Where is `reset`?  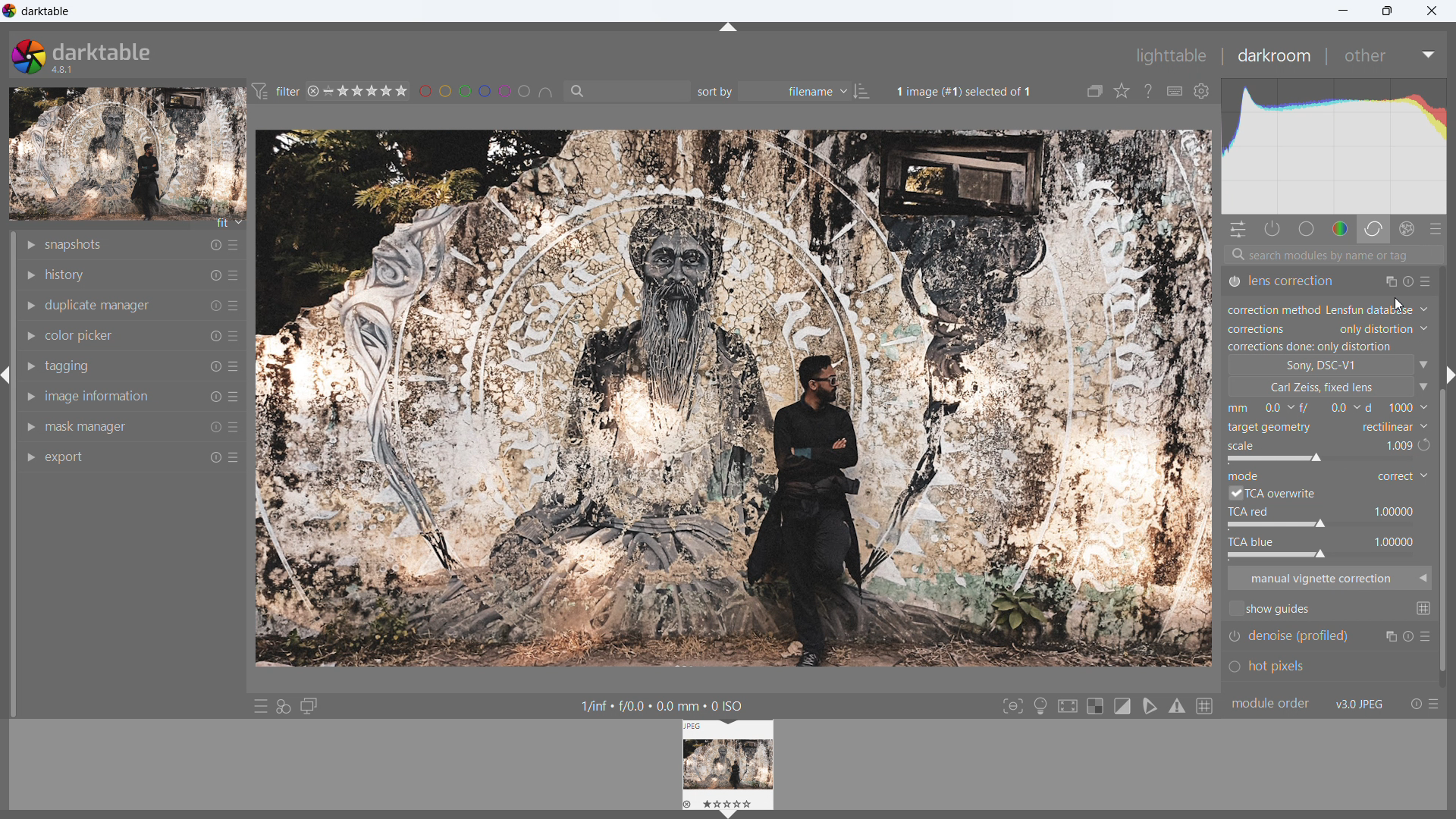 reset is located at coordinates (215, 429).